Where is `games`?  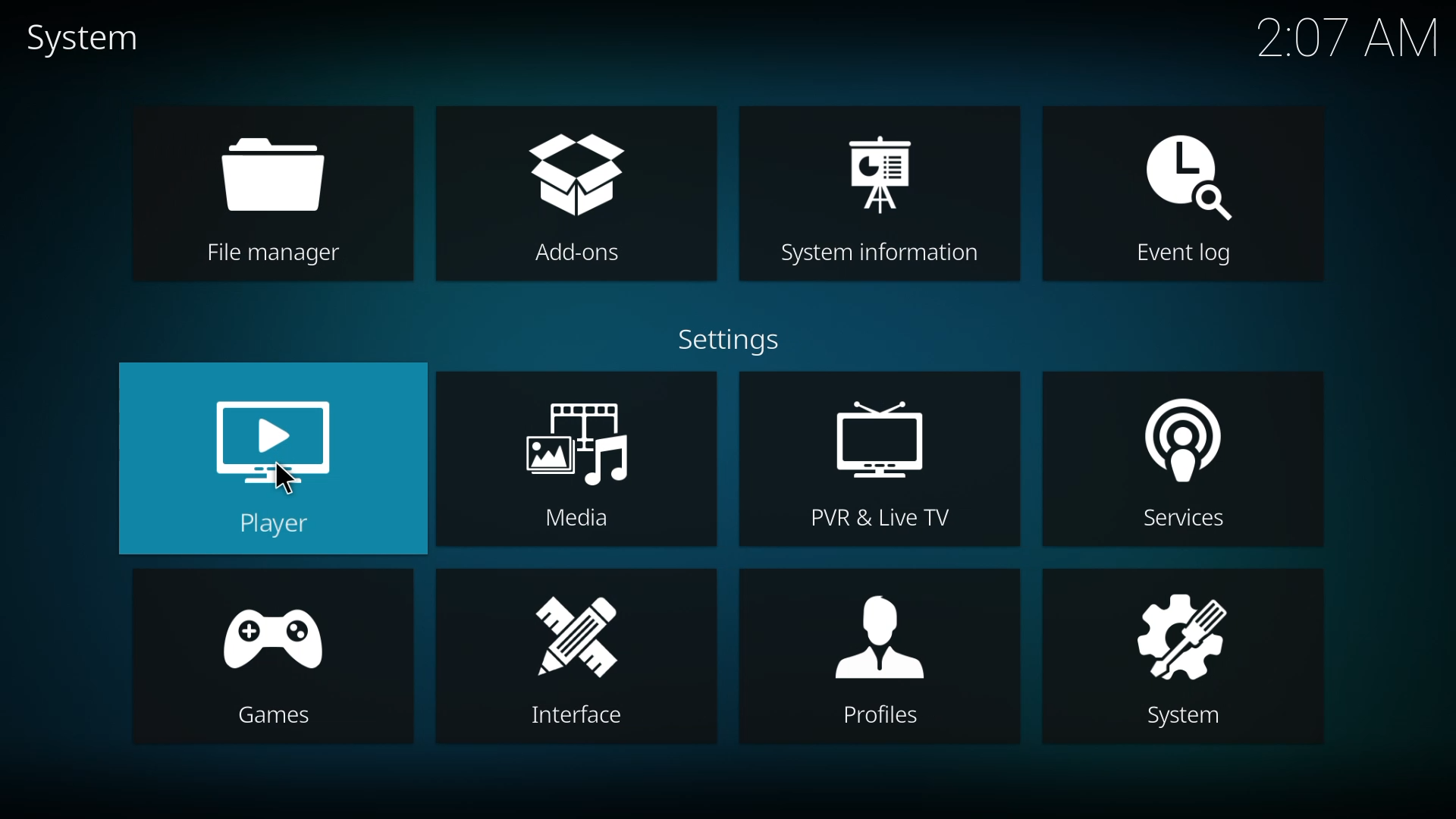
games is located at coordinates (271, 662).